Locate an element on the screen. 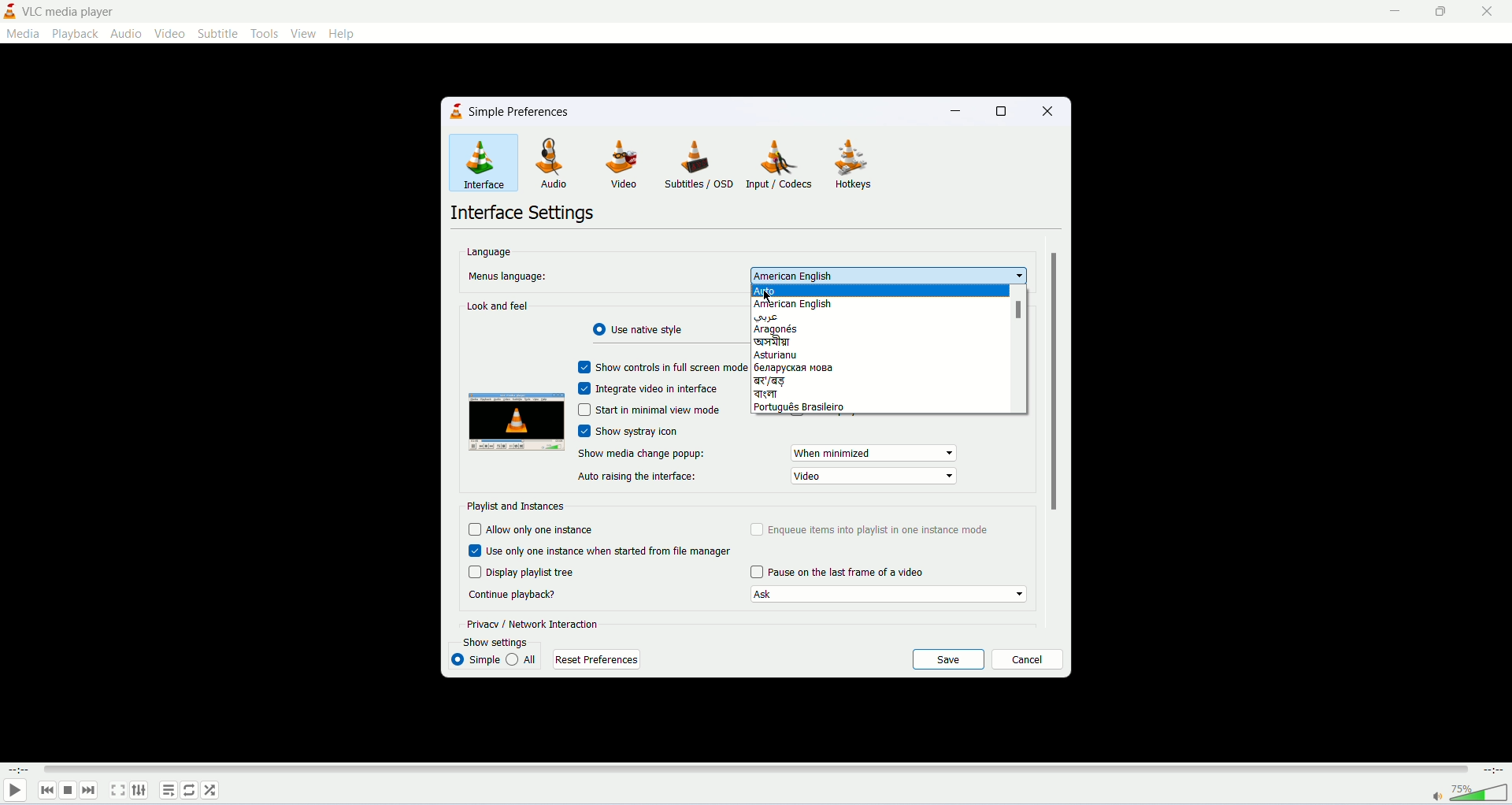 This screenshot has height=805, width=1512. Continue playback options is located at coordinates (889, 595).